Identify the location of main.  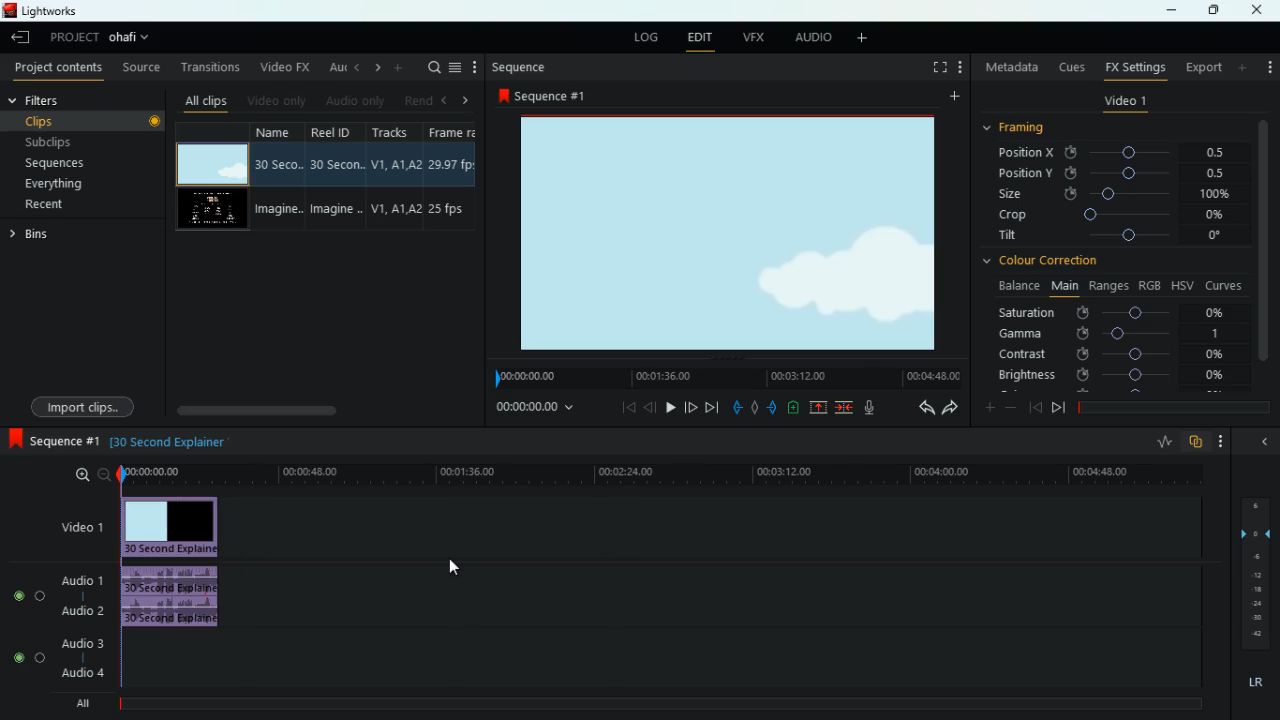
(1064, 286).